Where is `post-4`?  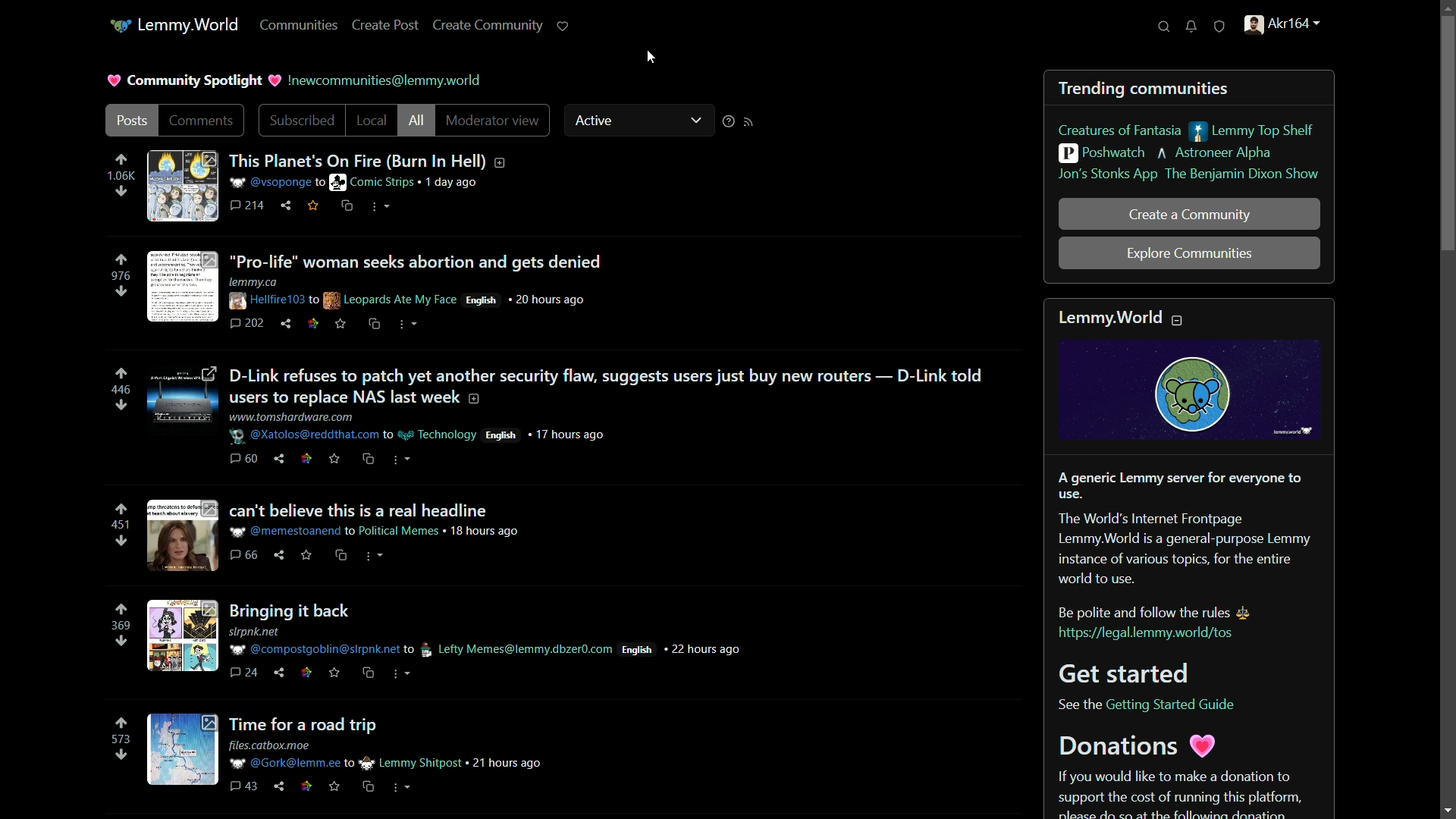 post-4 is located at coordinates (339, 538).